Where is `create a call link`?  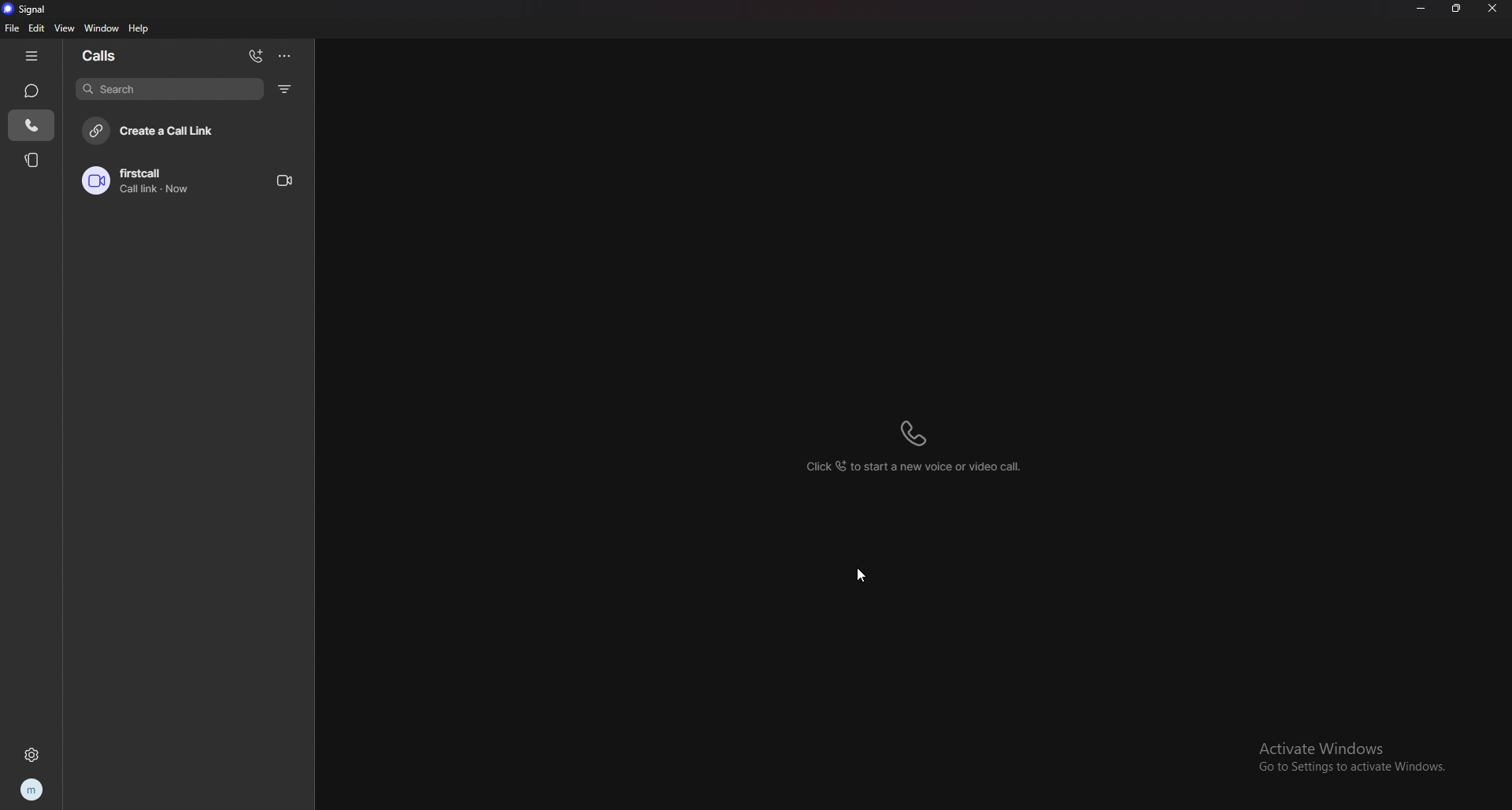 create a call link is located at coordinates (194, 129).